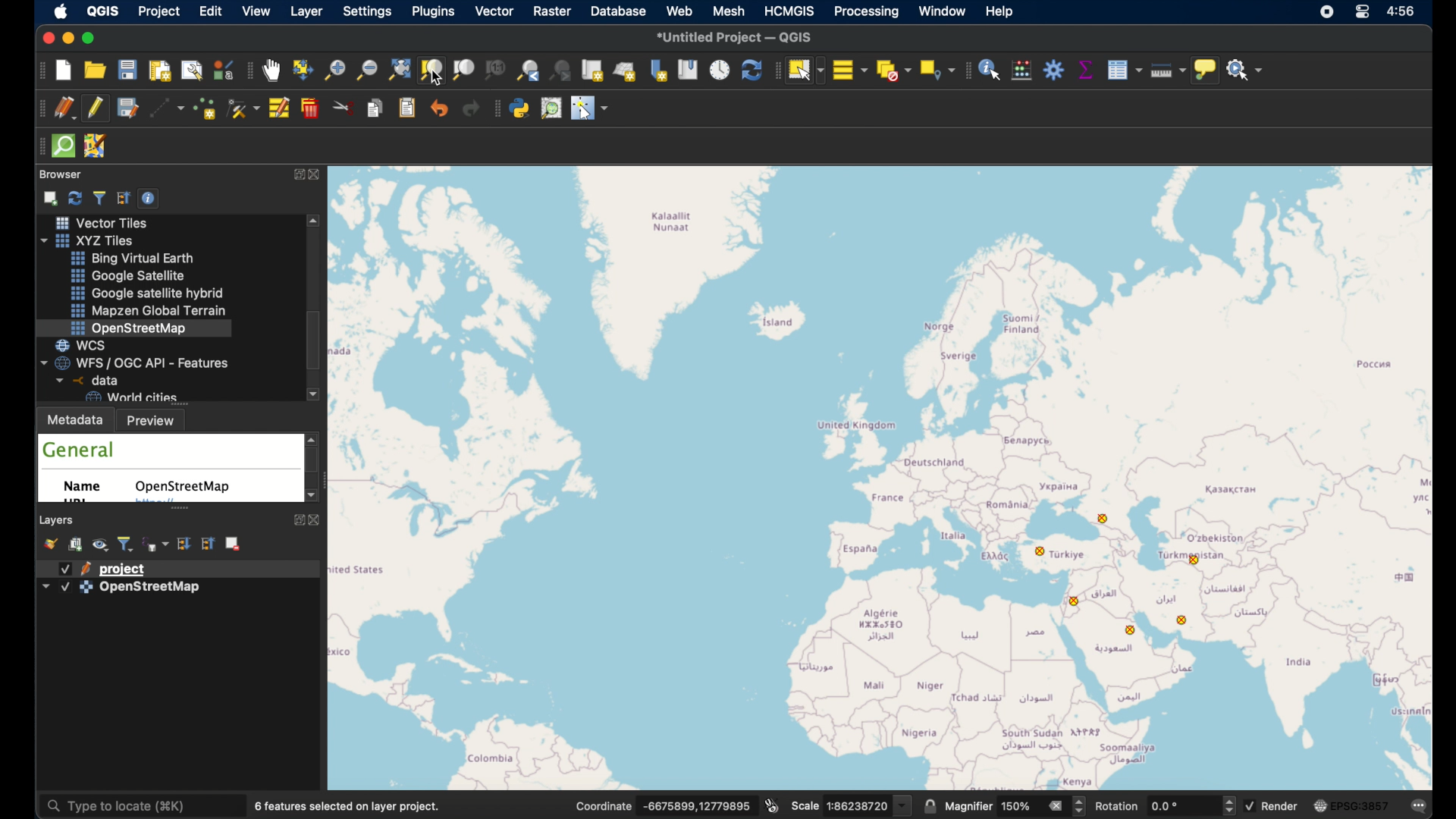 The width and height of the screenshot is (1456, 819). I want to click on google satellite hybrid, so click(145, 293).